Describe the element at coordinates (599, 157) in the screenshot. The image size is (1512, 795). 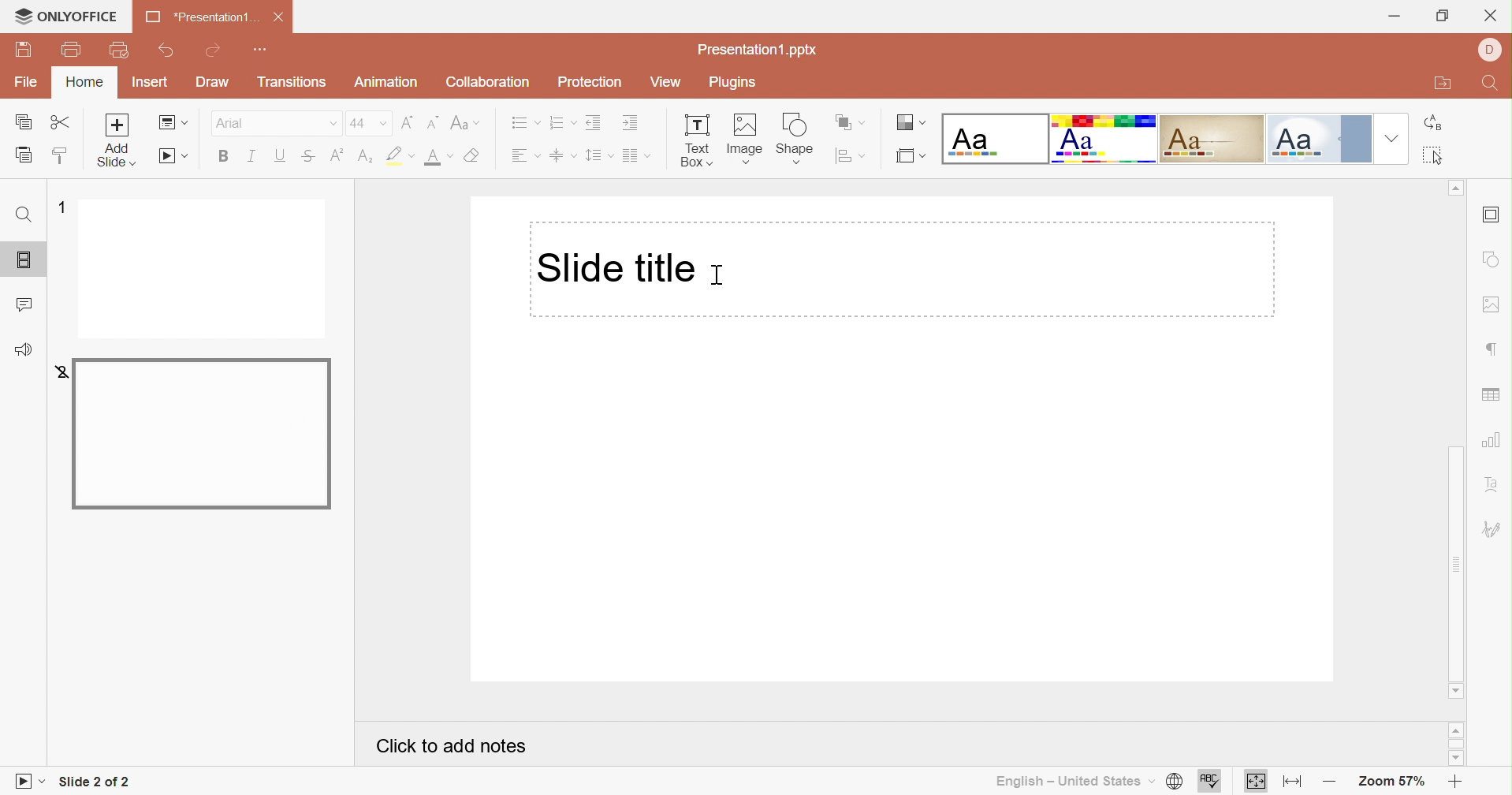
I see `Line spacing` at that location.